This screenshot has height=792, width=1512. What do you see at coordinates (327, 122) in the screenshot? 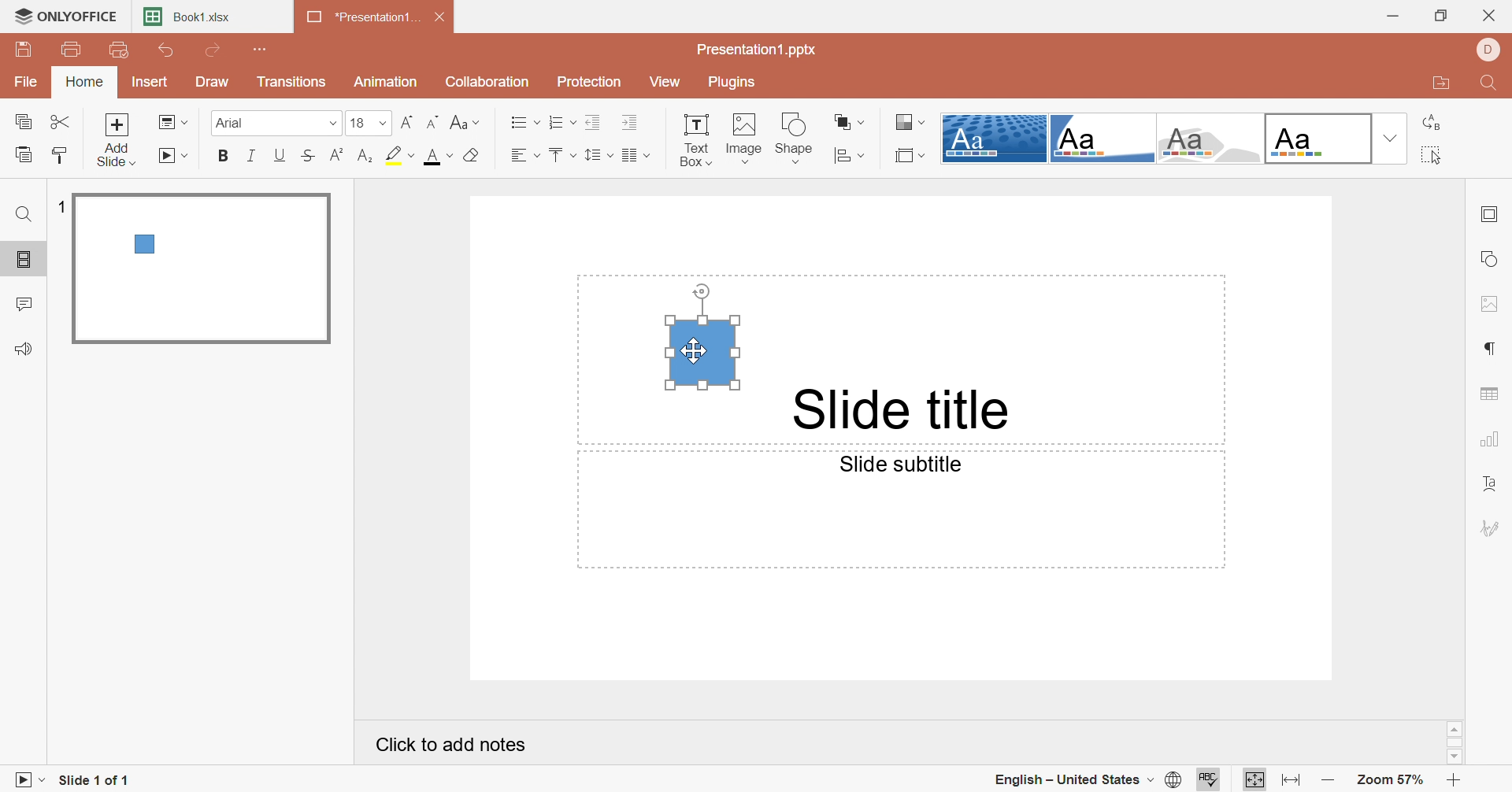
I see `Drop down` at bounding box center [327, 122].